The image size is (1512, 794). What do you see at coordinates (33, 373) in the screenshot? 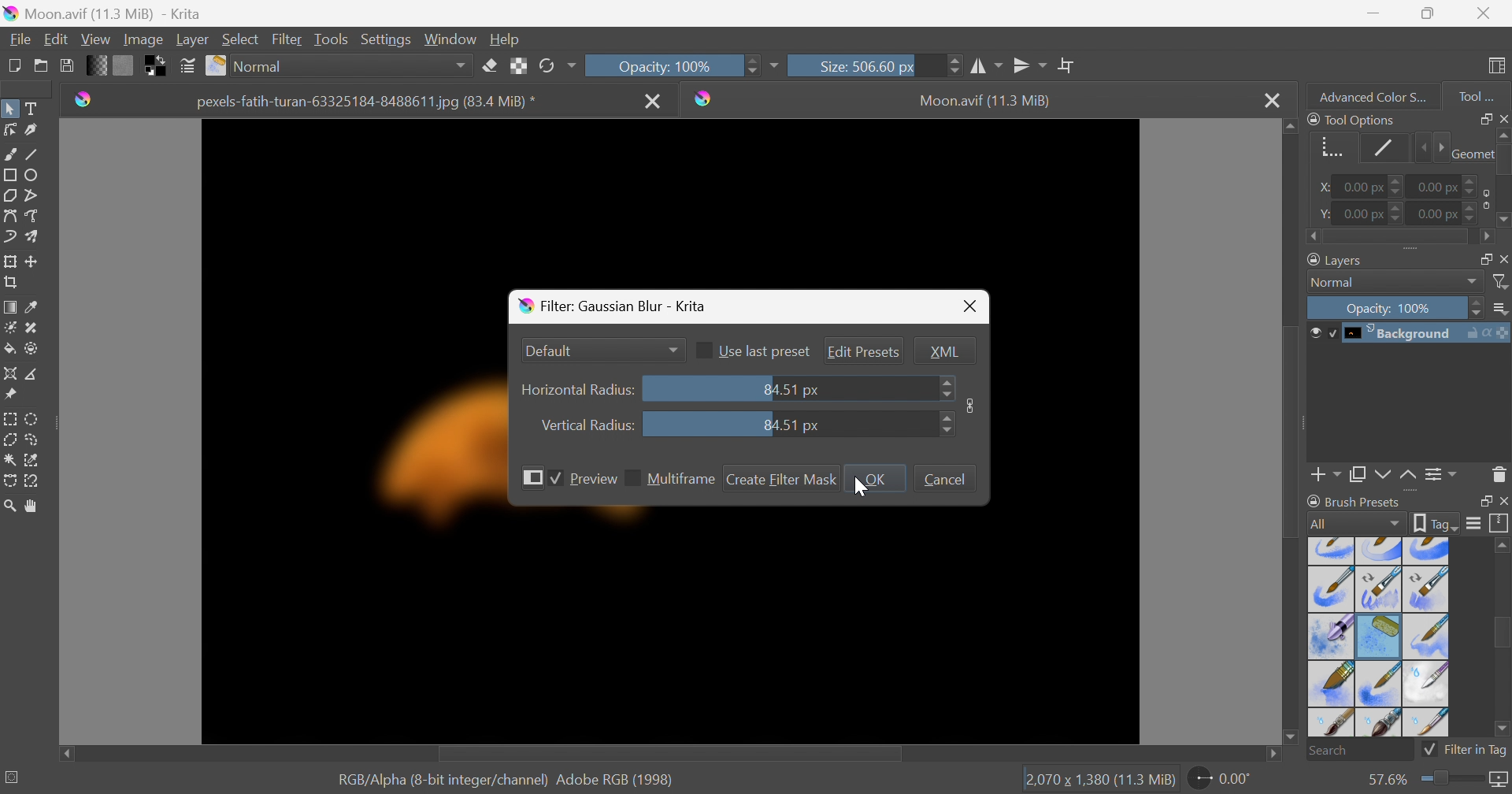
I see `Measure the distance between two points` at bounding box center [33, 373].